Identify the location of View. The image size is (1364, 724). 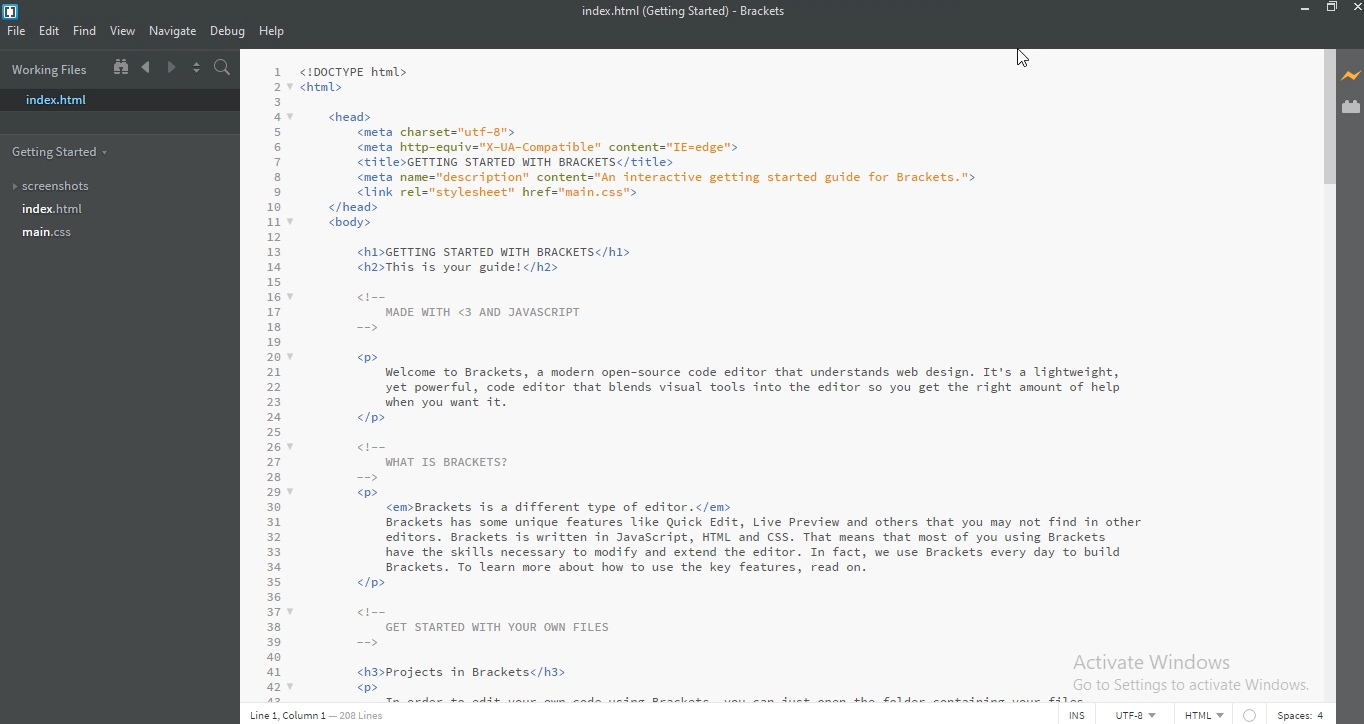
(125, 33).